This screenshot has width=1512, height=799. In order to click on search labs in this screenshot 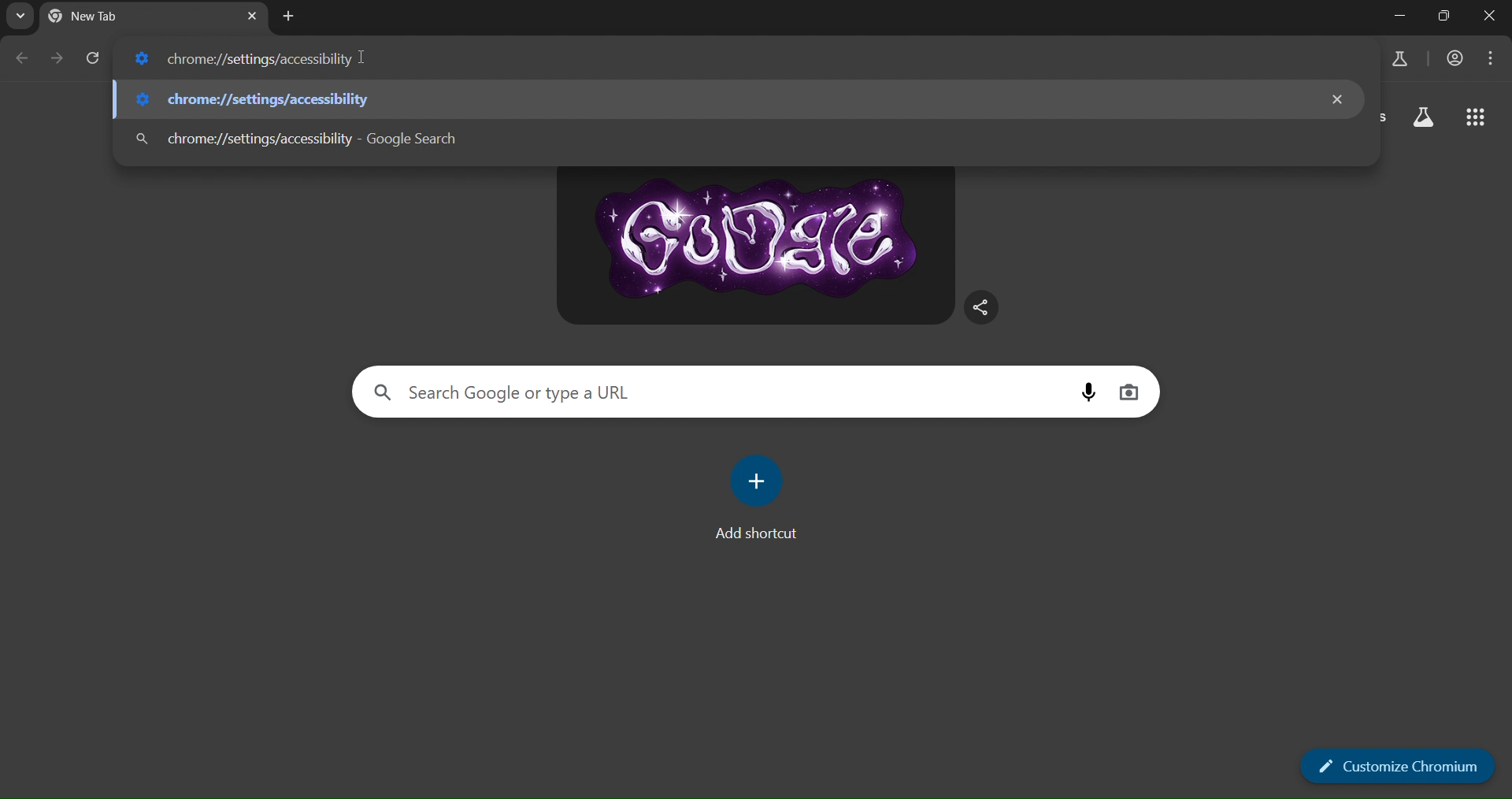, I will do `click(1421, 117)`.